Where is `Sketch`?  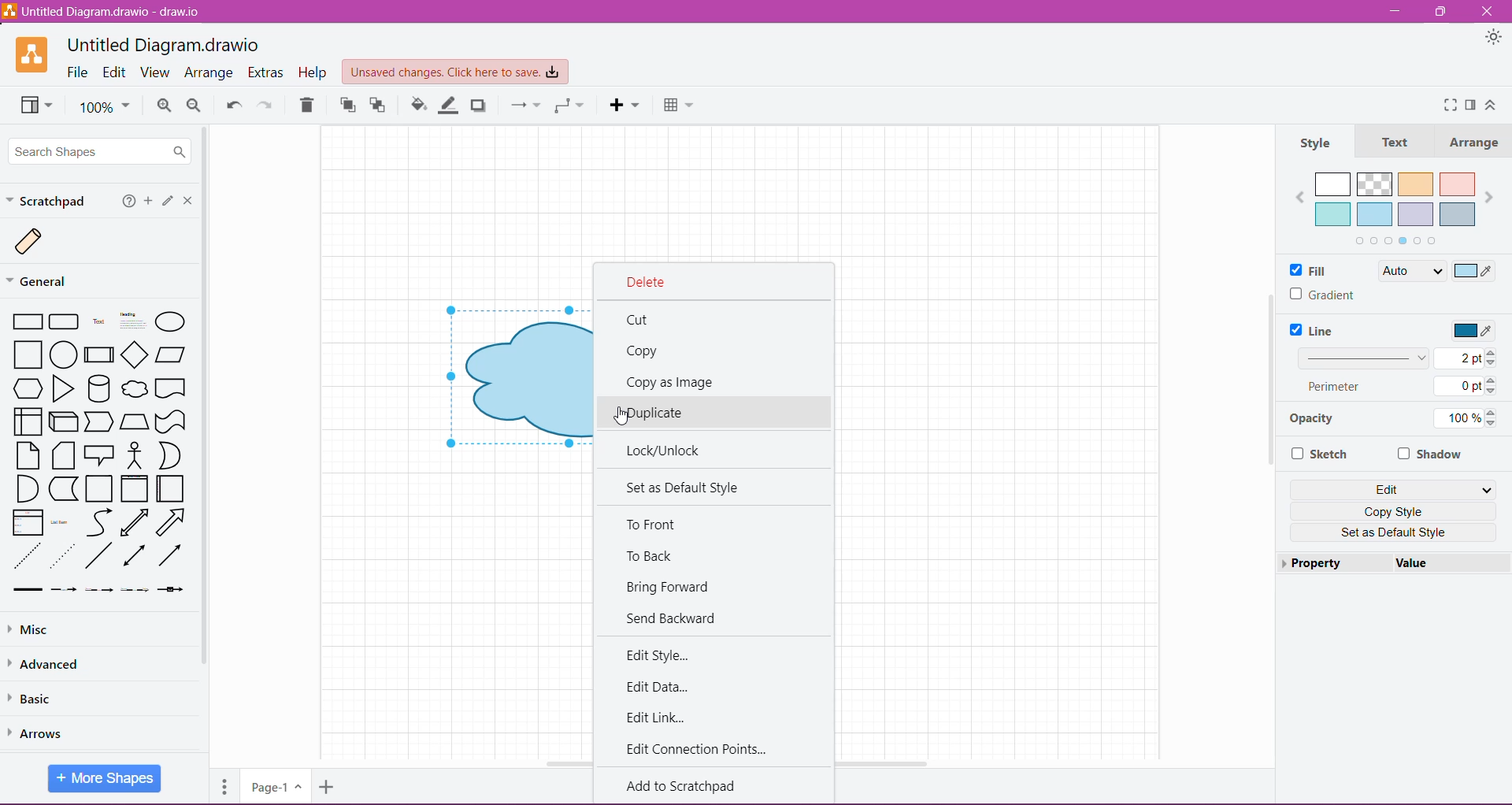 Sketch is located at coordinates (1321, 454).